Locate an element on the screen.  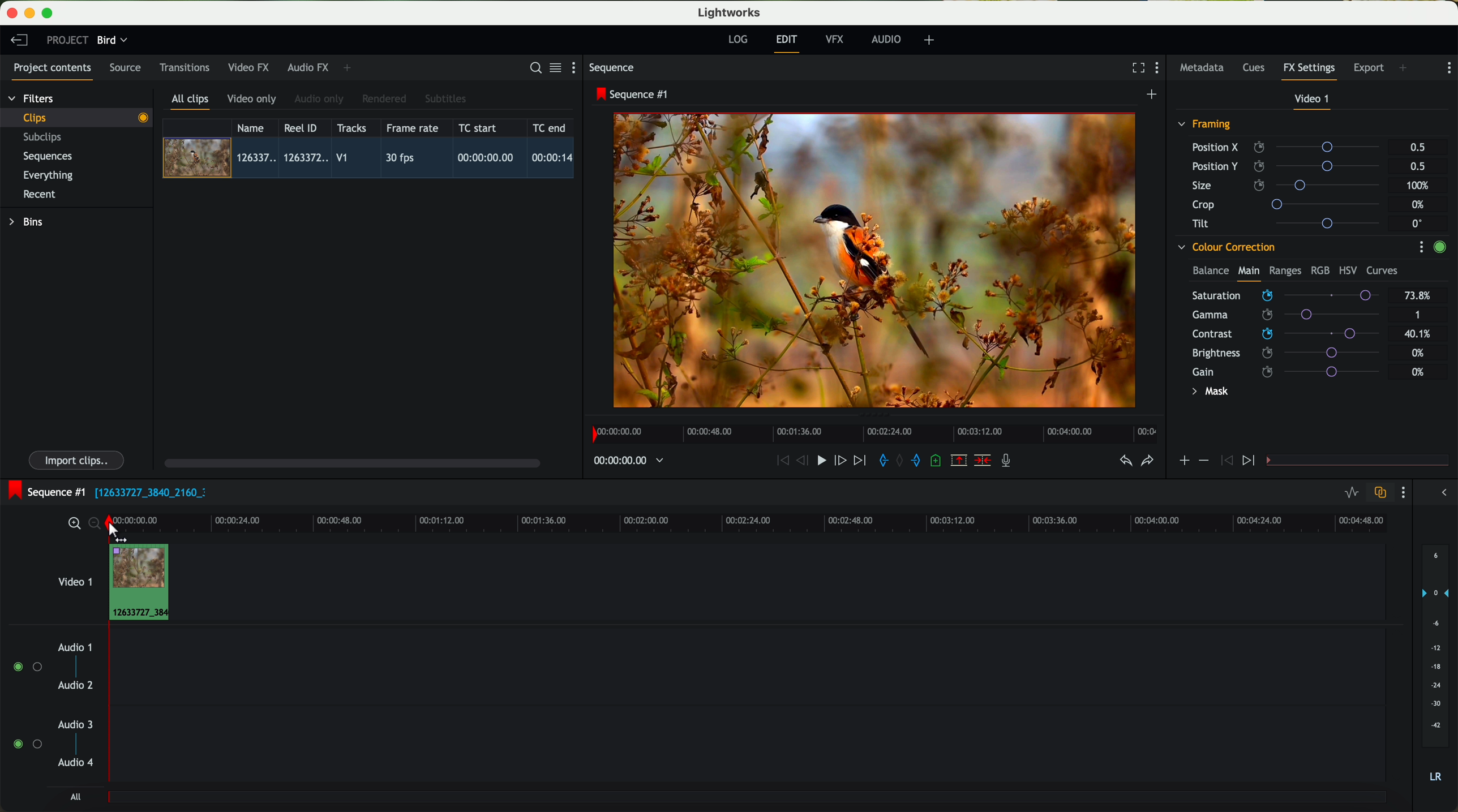
0.5 is located at coordinates (1418, 148).